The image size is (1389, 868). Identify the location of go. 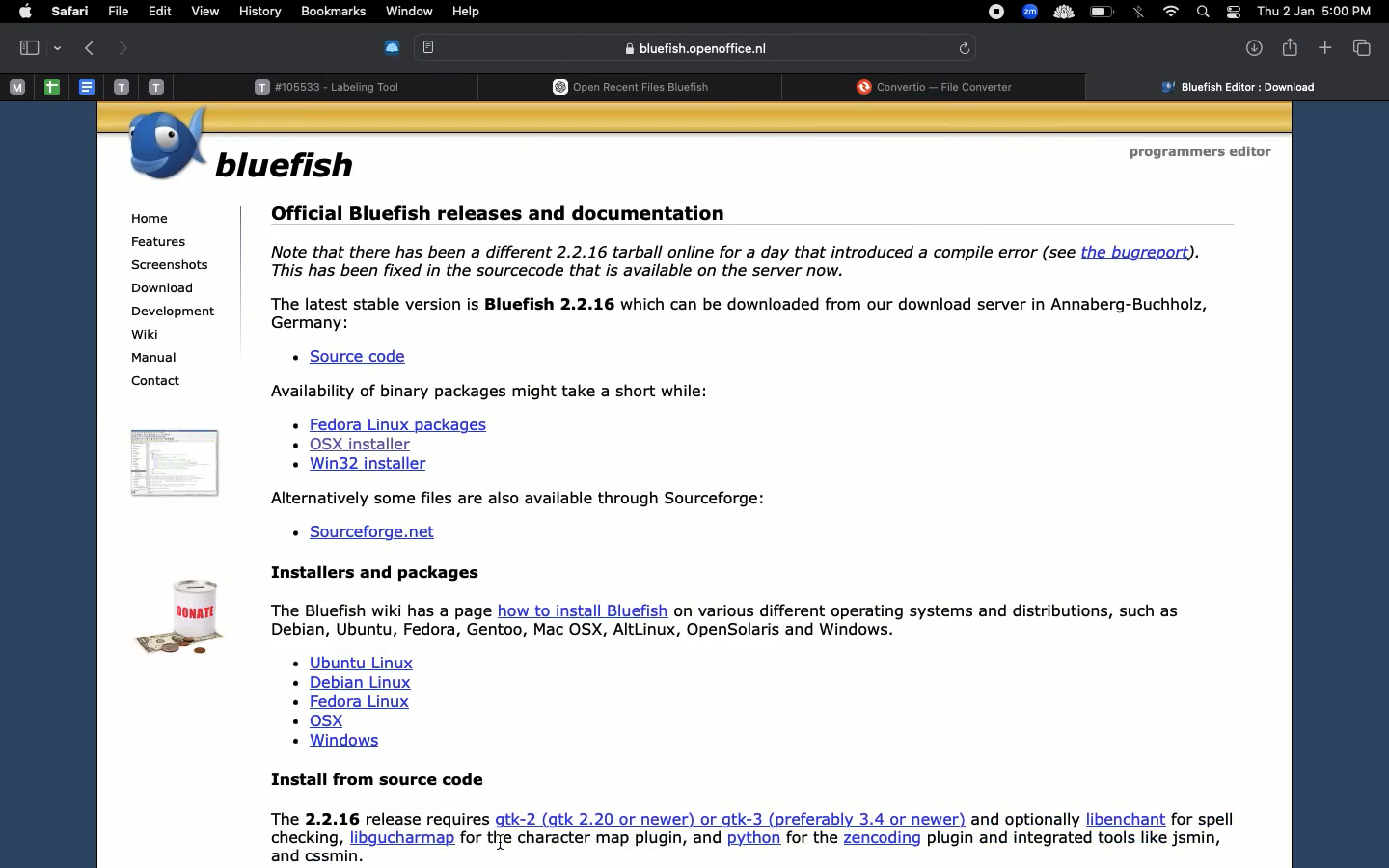
(342, 10).